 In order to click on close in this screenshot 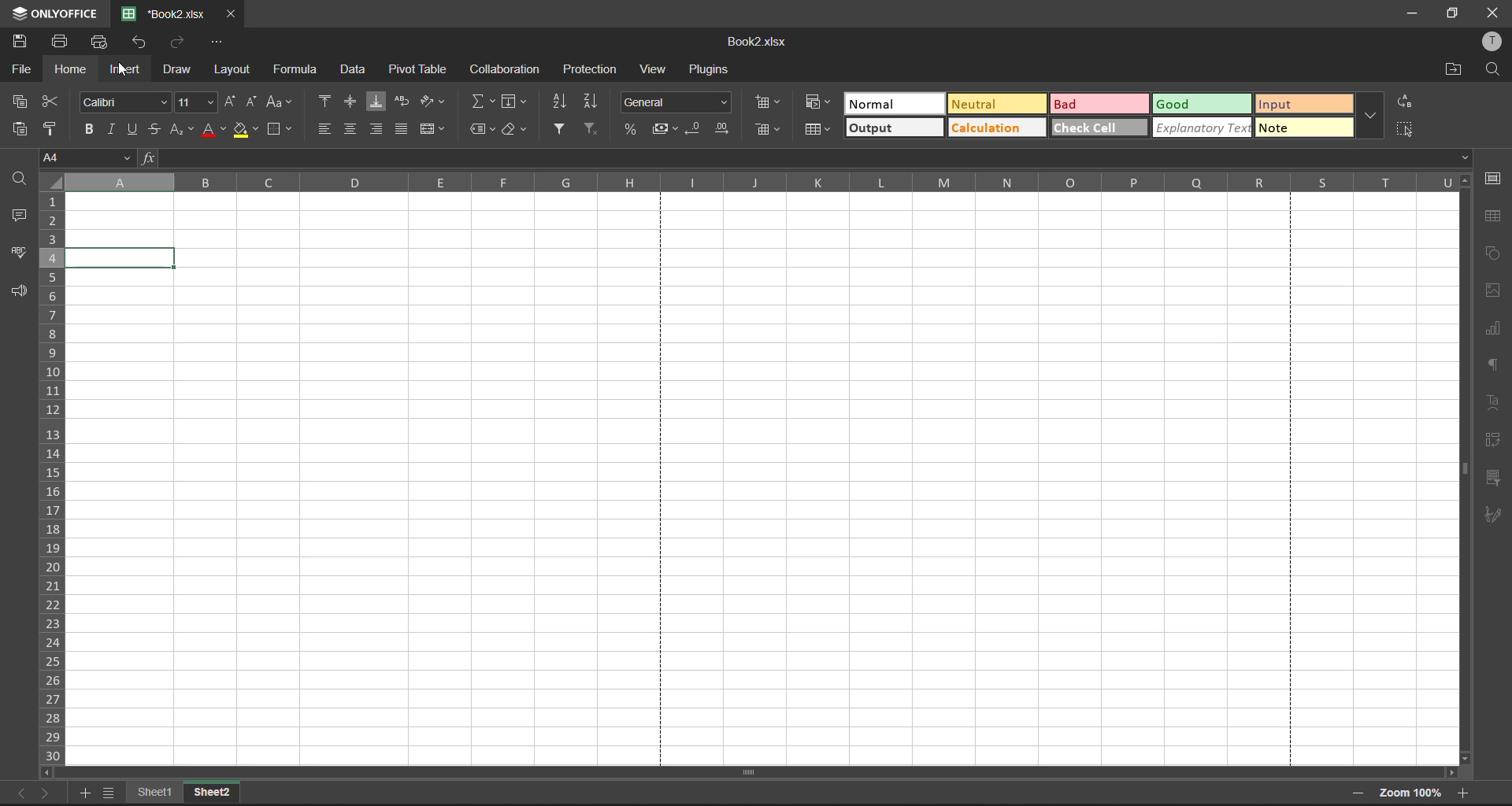, I will do `click(231, 13)`.